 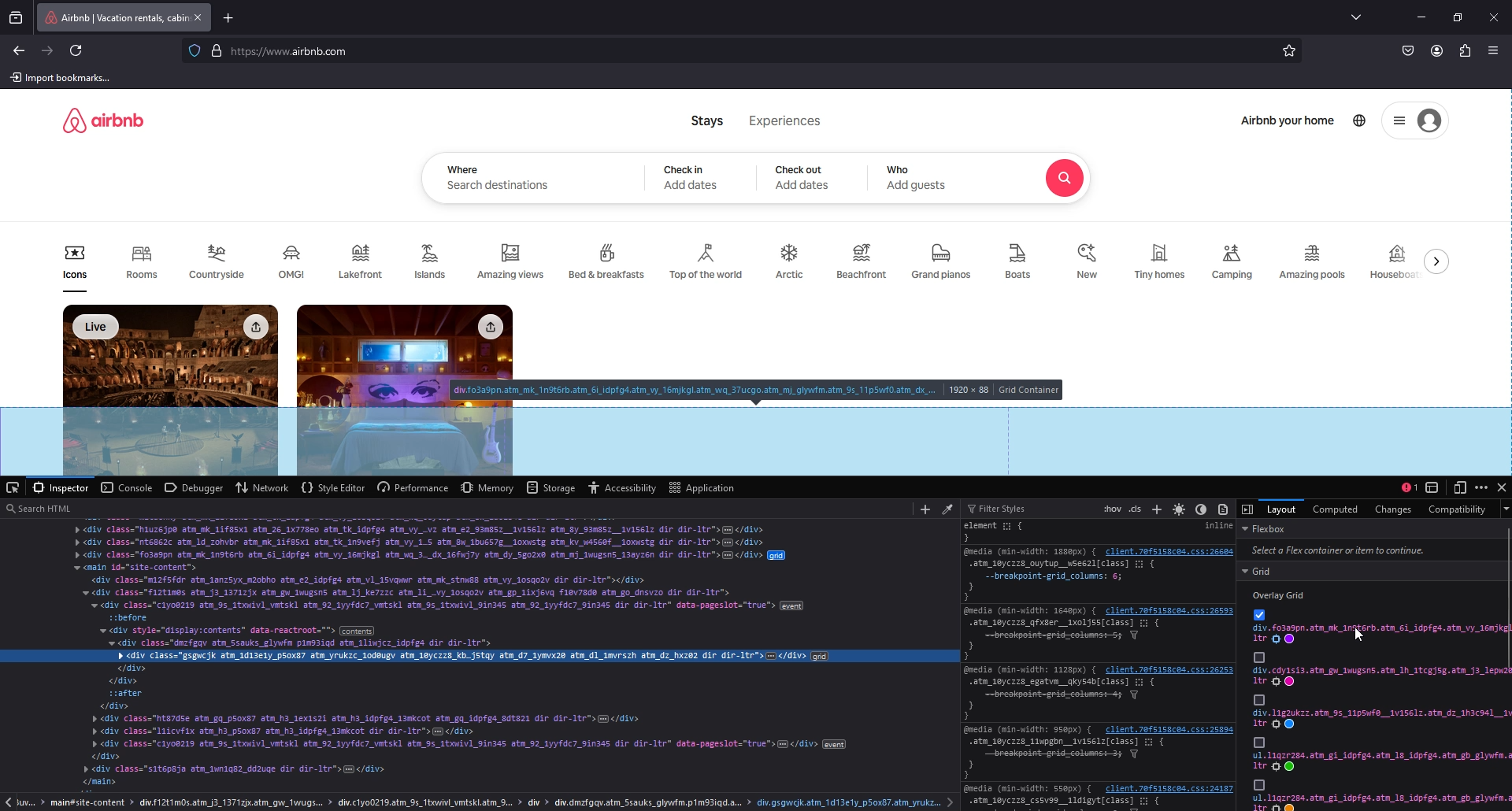 I want to click on responsive design, so click(x=1462, y=487).